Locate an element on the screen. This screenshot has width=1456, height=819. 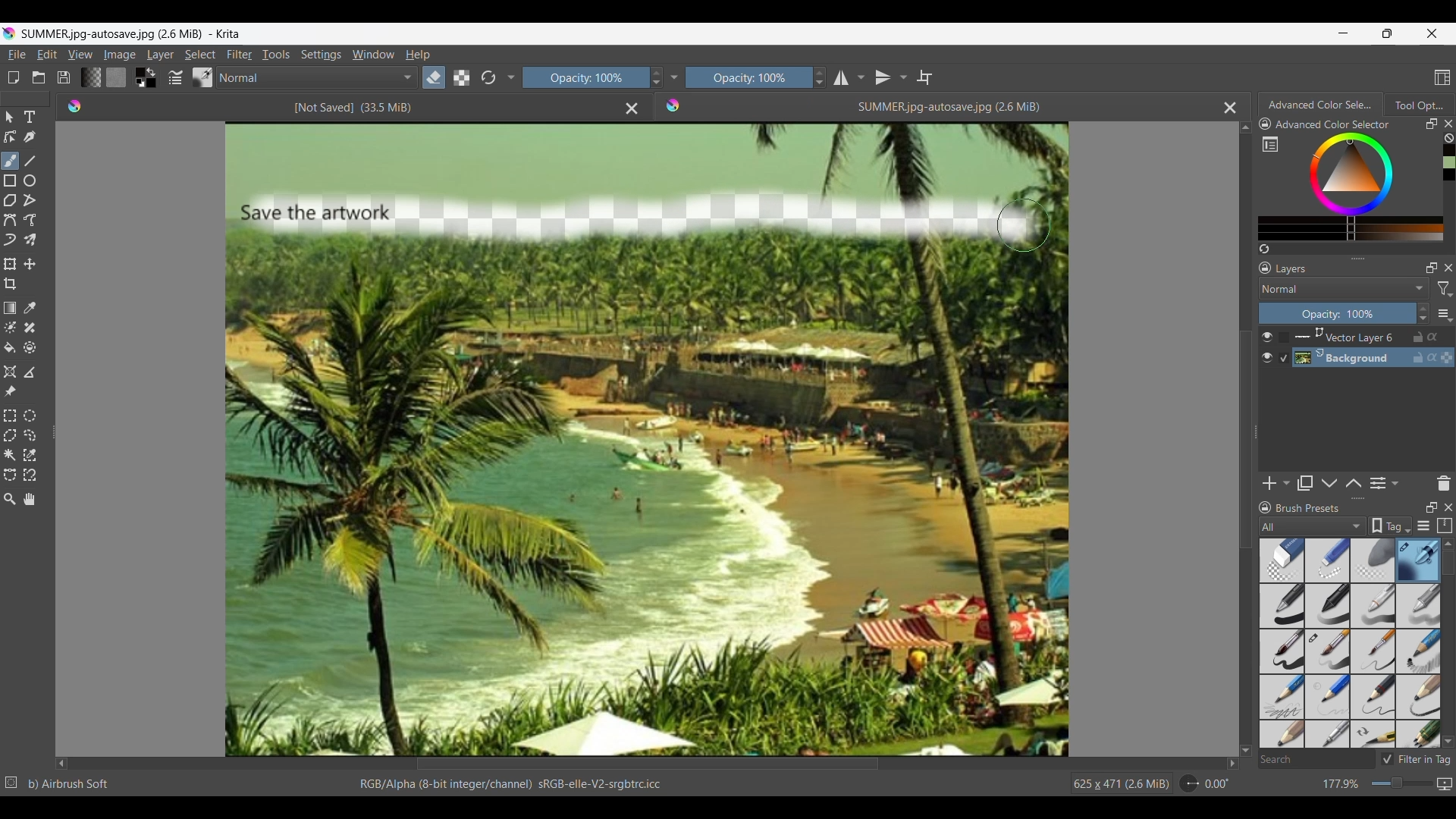
Close panel is located at coordinates (1448, 507).